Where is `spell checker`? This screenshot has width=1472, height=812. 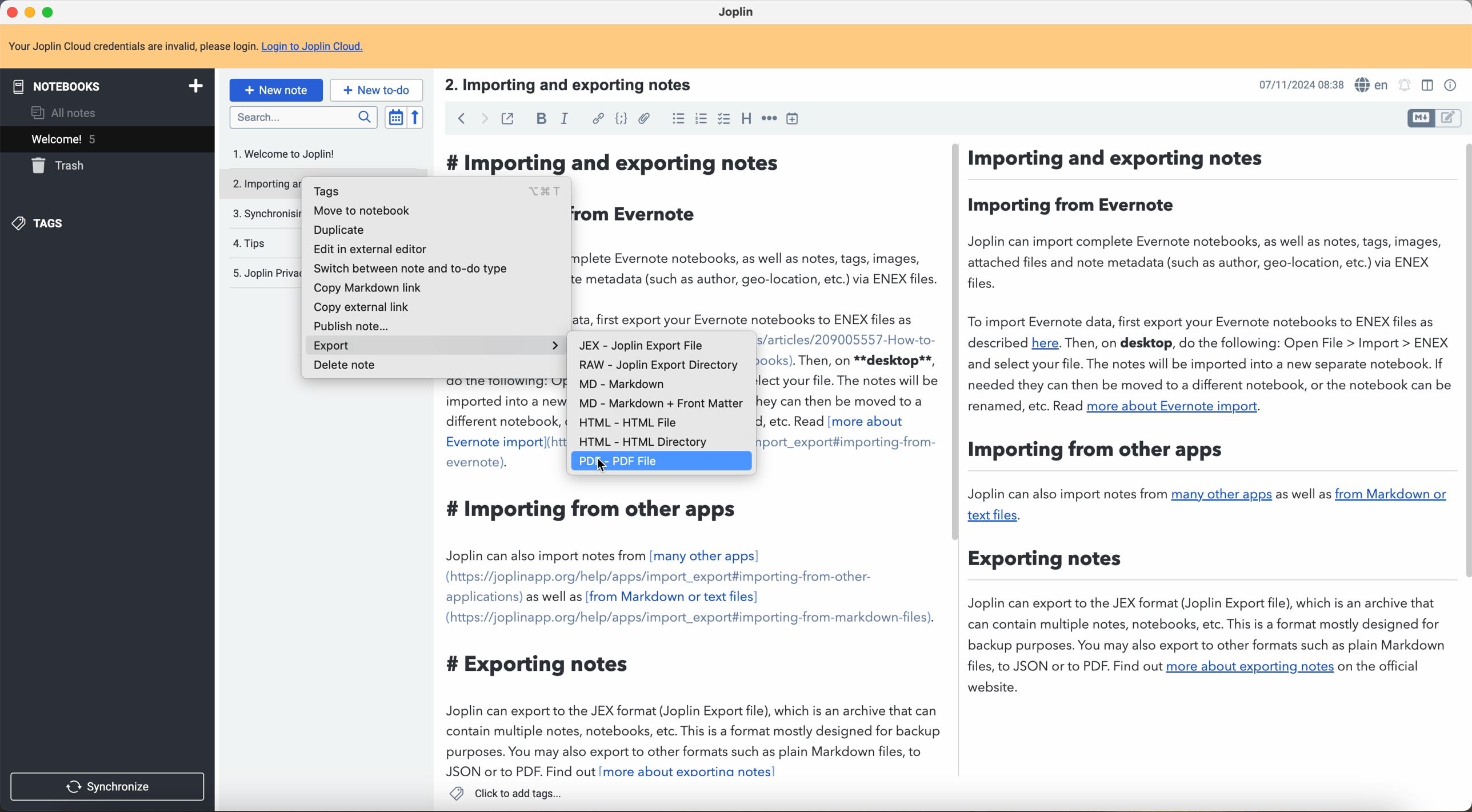 spell checker is located at coordinates (1372, 83).